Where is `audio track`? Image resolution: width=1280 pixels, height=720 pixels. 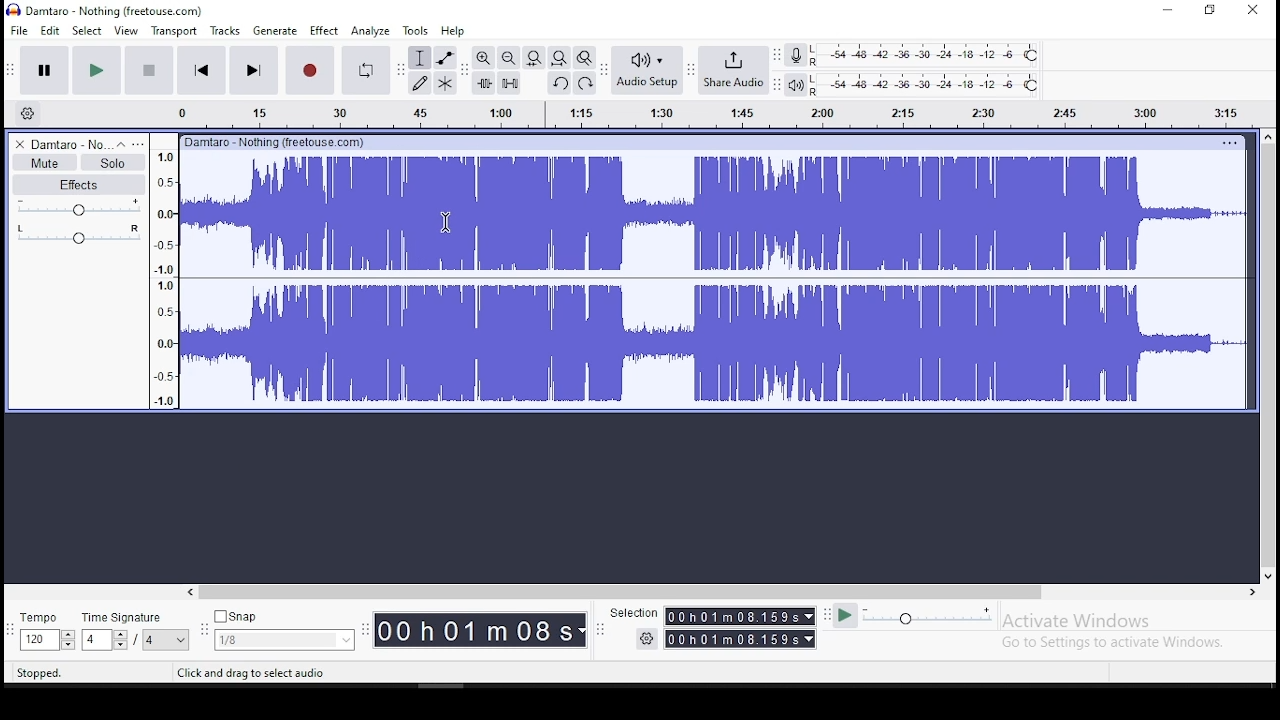
audio track is located at coordinates (713, 344).